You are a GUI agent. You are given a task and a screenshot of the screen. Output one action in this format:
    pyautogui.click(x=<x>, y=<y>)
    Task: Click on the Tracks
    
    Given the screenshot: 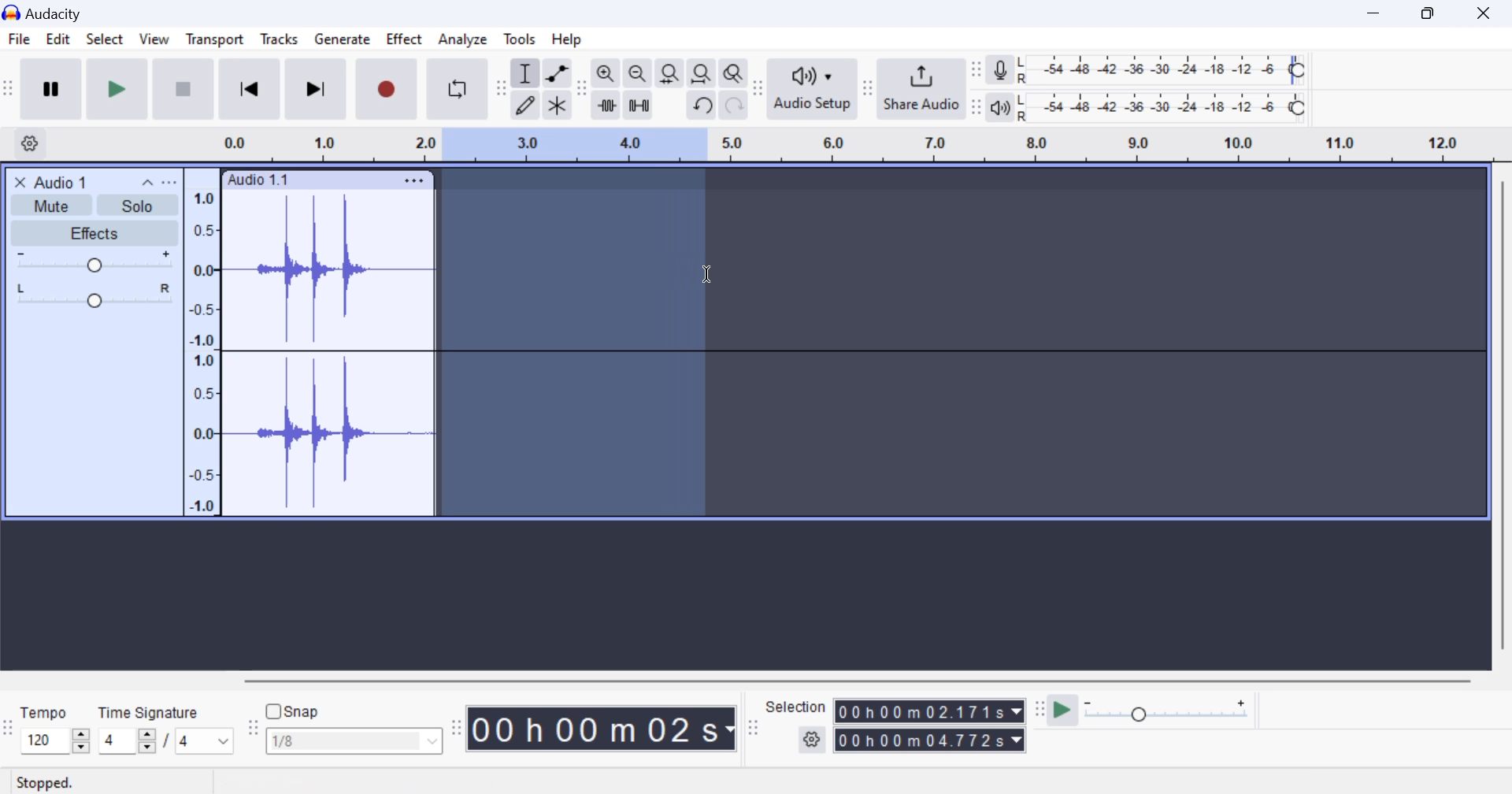 What is the action you would take?
    pyautogui.click(x=280, y=43)
    